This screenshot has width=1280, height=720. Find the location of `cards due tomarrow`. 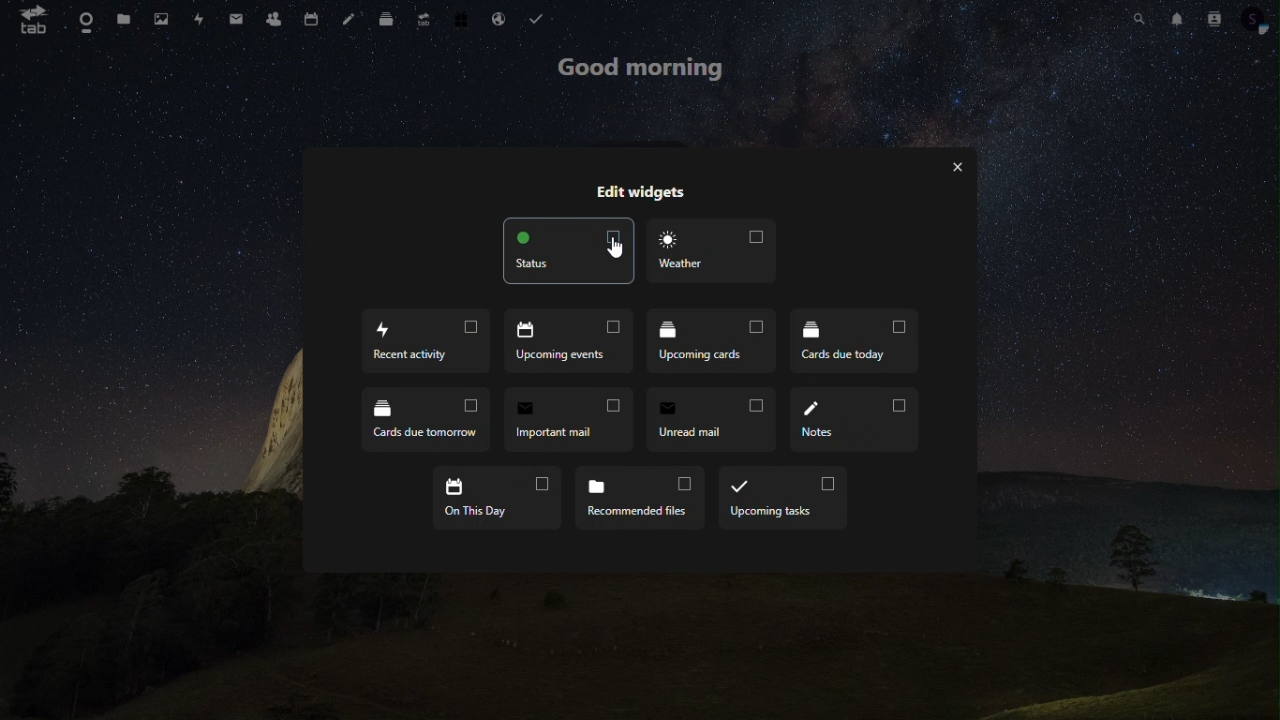

cards due tomarrow is located at coordinates (425, 418).